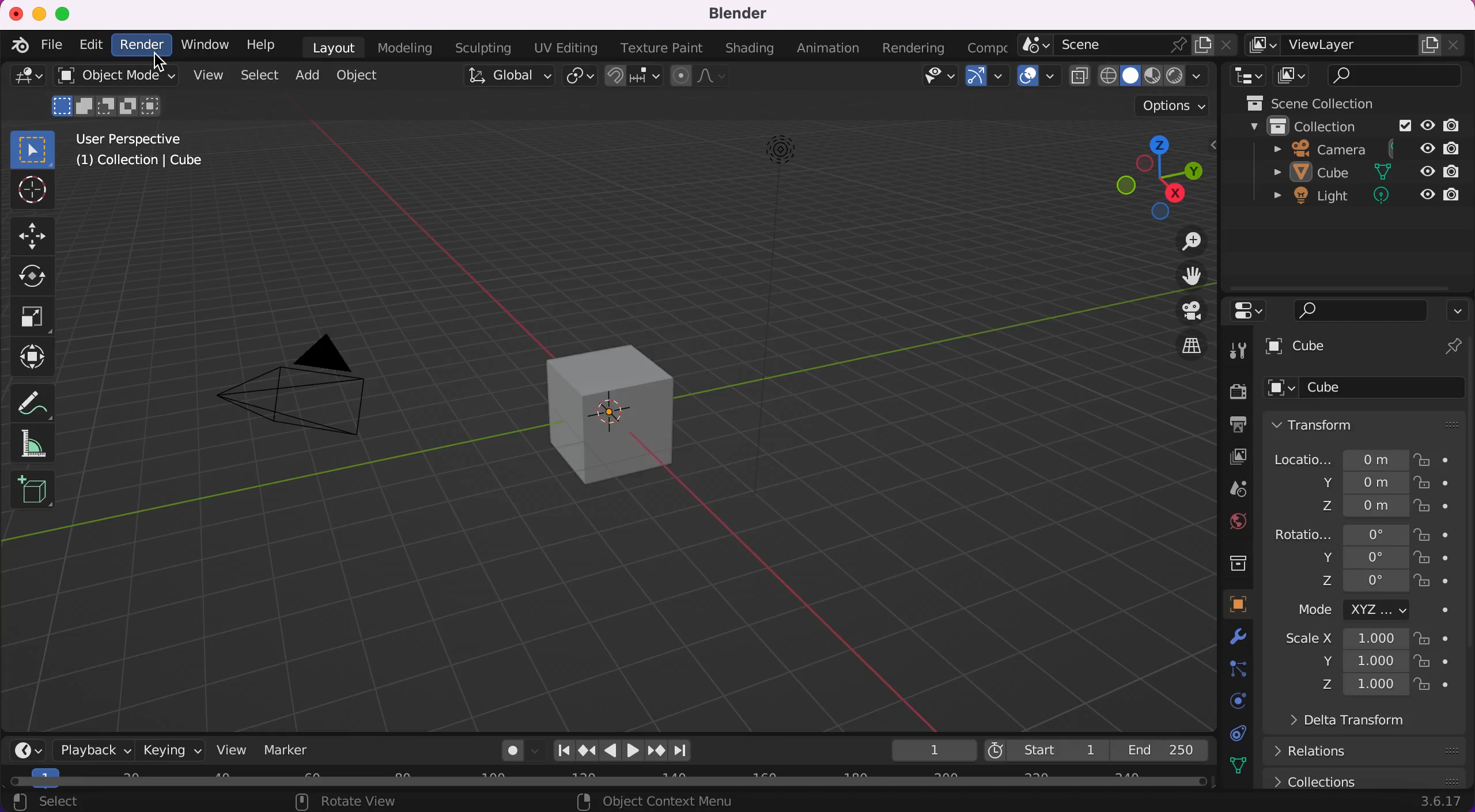 Image resolution: width=1475 pixels, height=812 pixels. I want to click on options, so click(1458, 313).